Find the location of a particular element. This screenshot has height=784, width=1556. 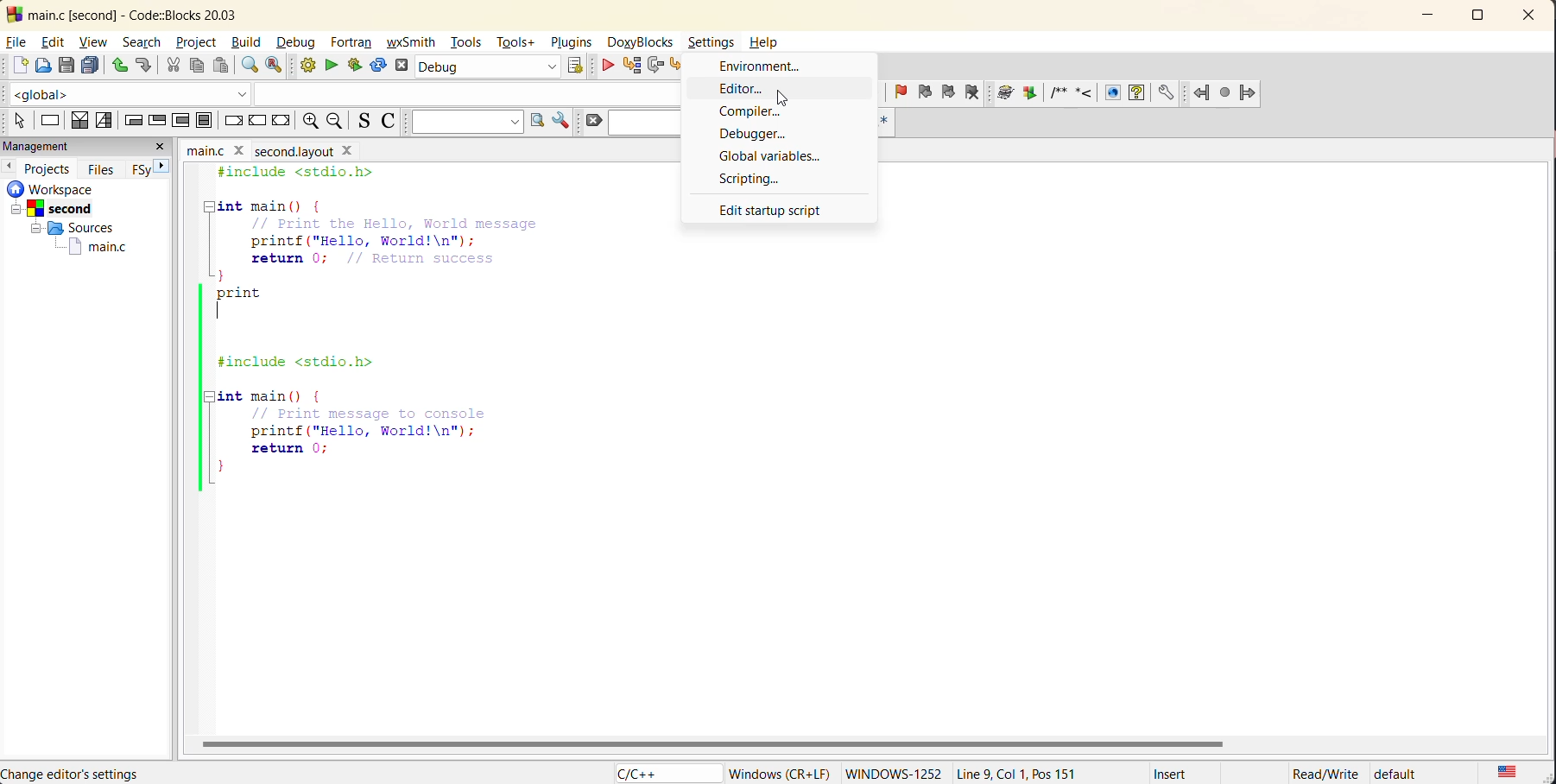

replace is located at coordinates (281, 68).